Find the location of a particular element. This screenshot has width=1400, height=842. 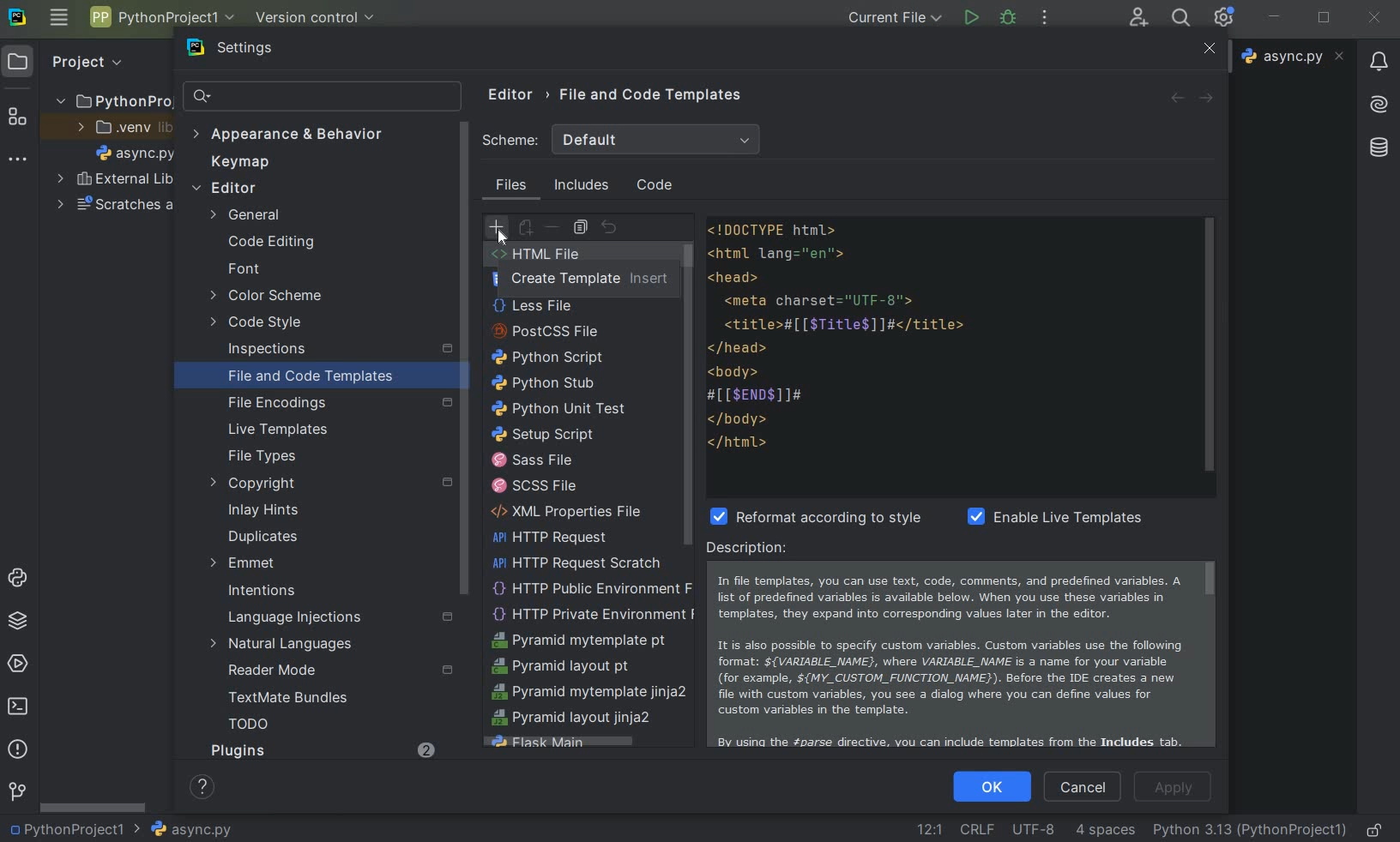

file and code templates is located at coordinates (651, 97).